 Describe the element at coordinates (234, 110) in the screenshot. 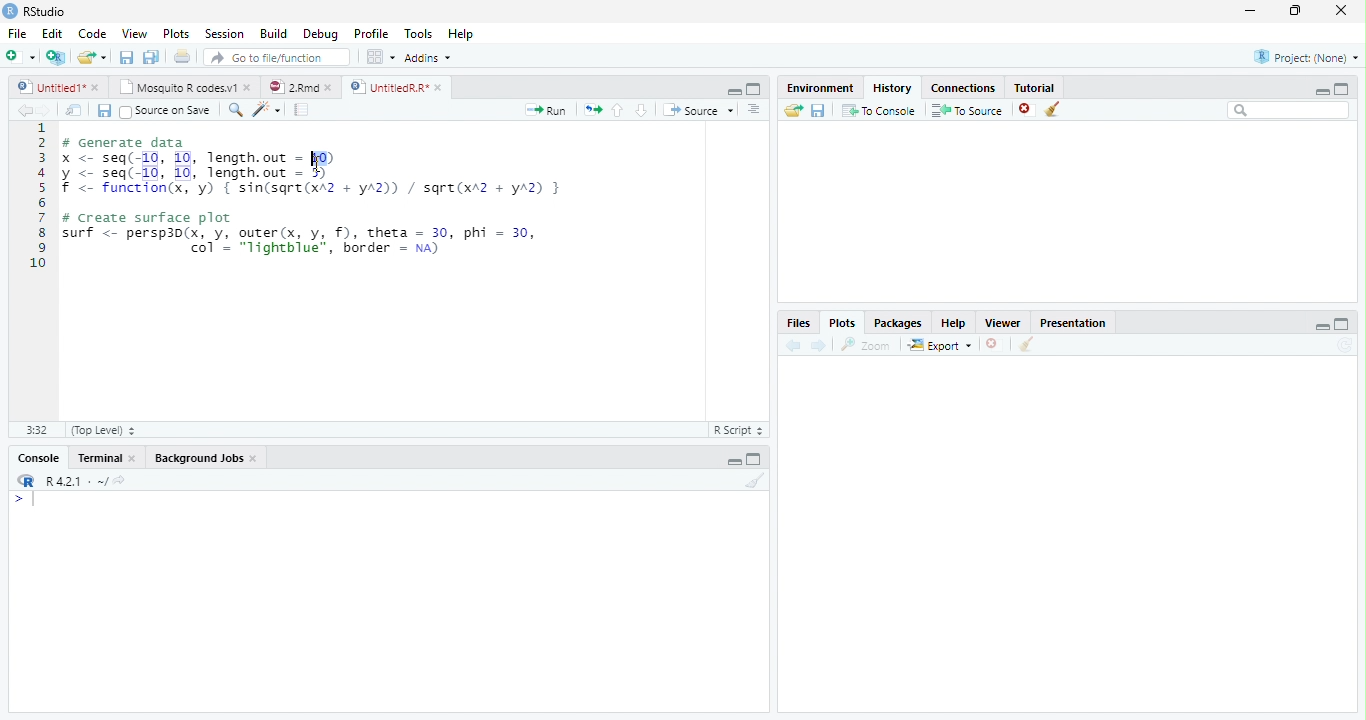

I see `Find/replace` at that location.